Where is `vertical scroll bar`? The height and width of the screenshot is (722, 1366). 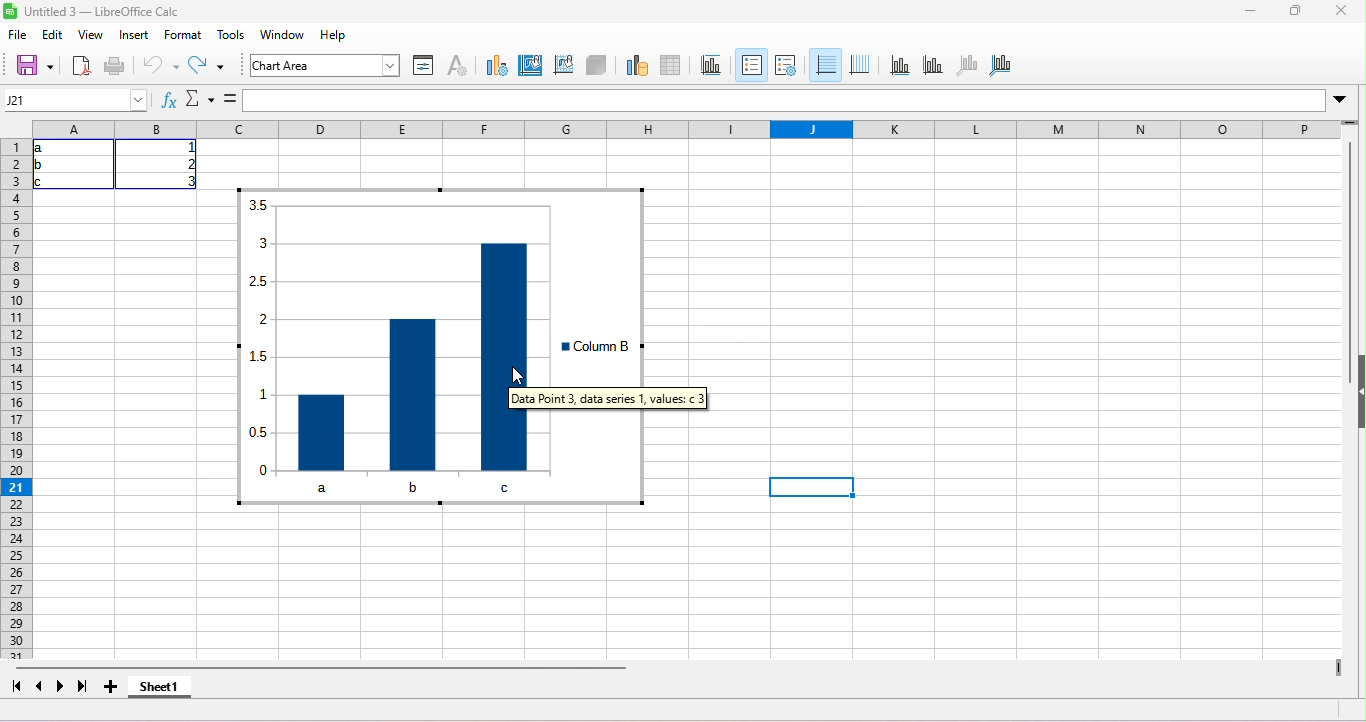
vertical scroll bar is located at coordinates (1346, 246).